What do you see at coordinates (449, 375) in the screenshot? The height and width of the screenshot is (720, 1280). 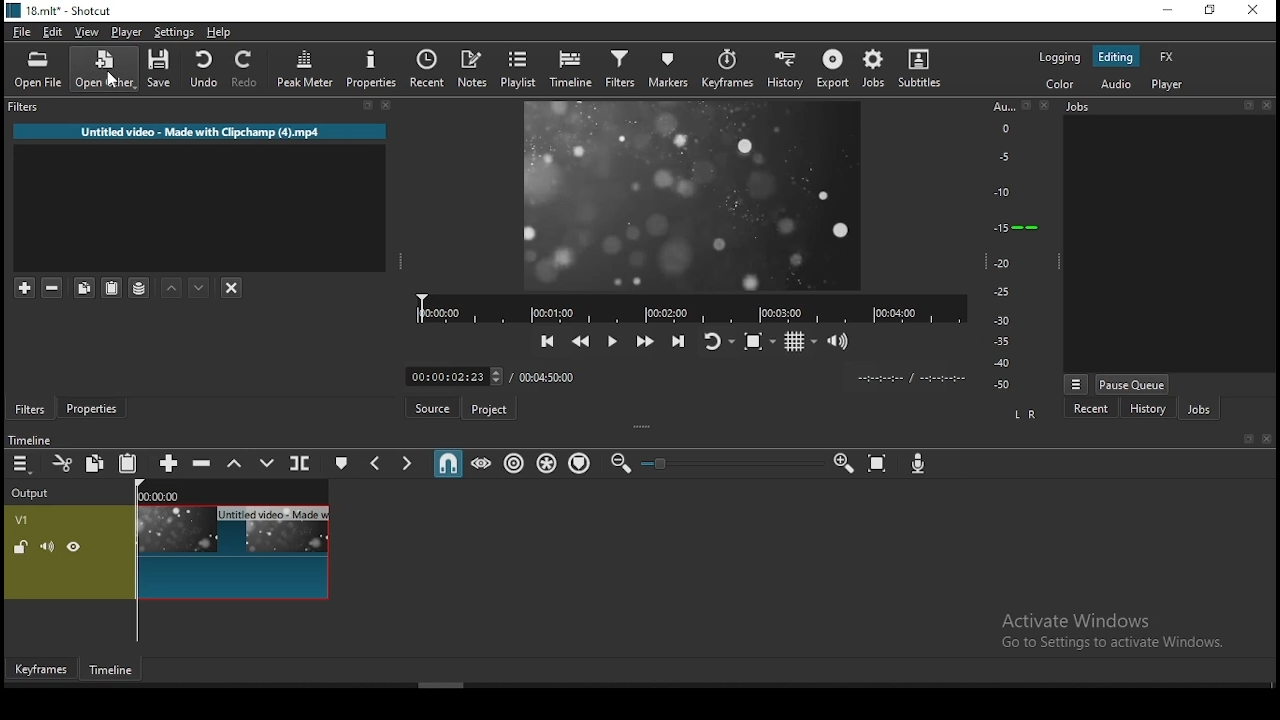 I see `elapsed time` at bounding box center [449, 375].